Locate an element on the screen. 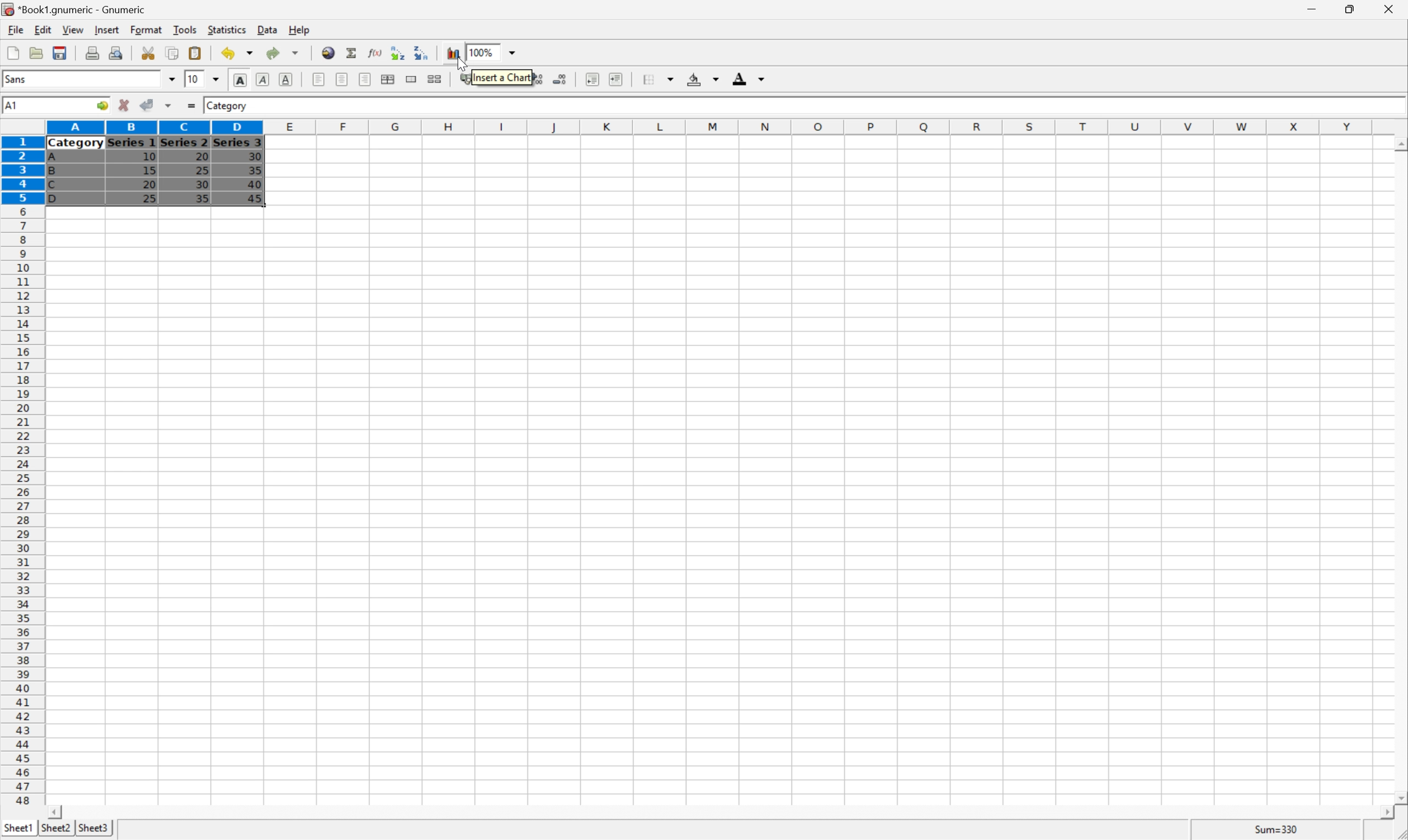 The width and height of the screenshot is (1408, 840). Sheet3 is located at coordinates (95, 828).